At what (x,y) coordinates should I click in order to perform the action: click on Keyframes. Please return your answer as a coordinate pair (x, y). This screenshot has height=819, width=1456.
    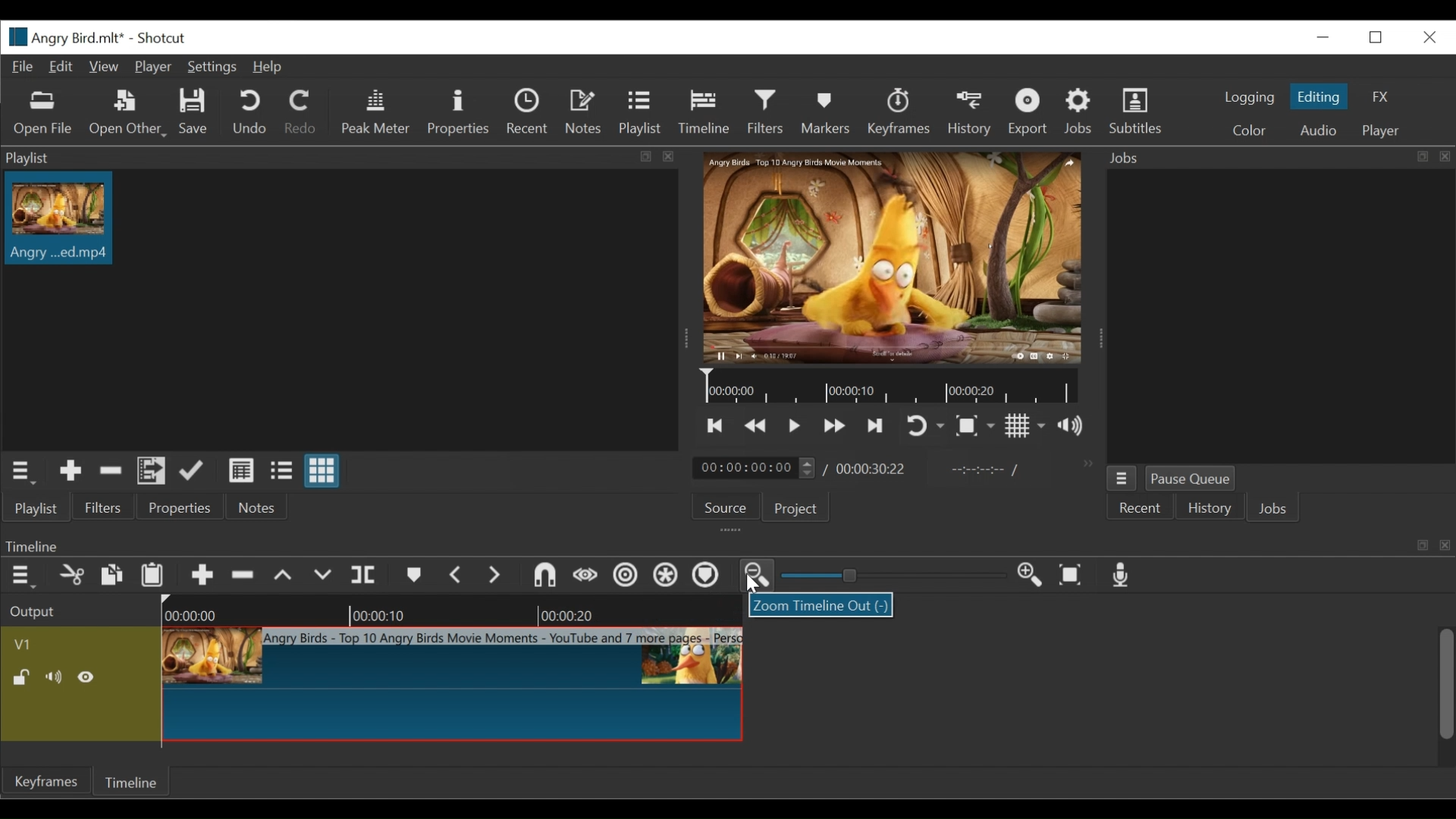
    Looking at the image, I should click on (900, 112).